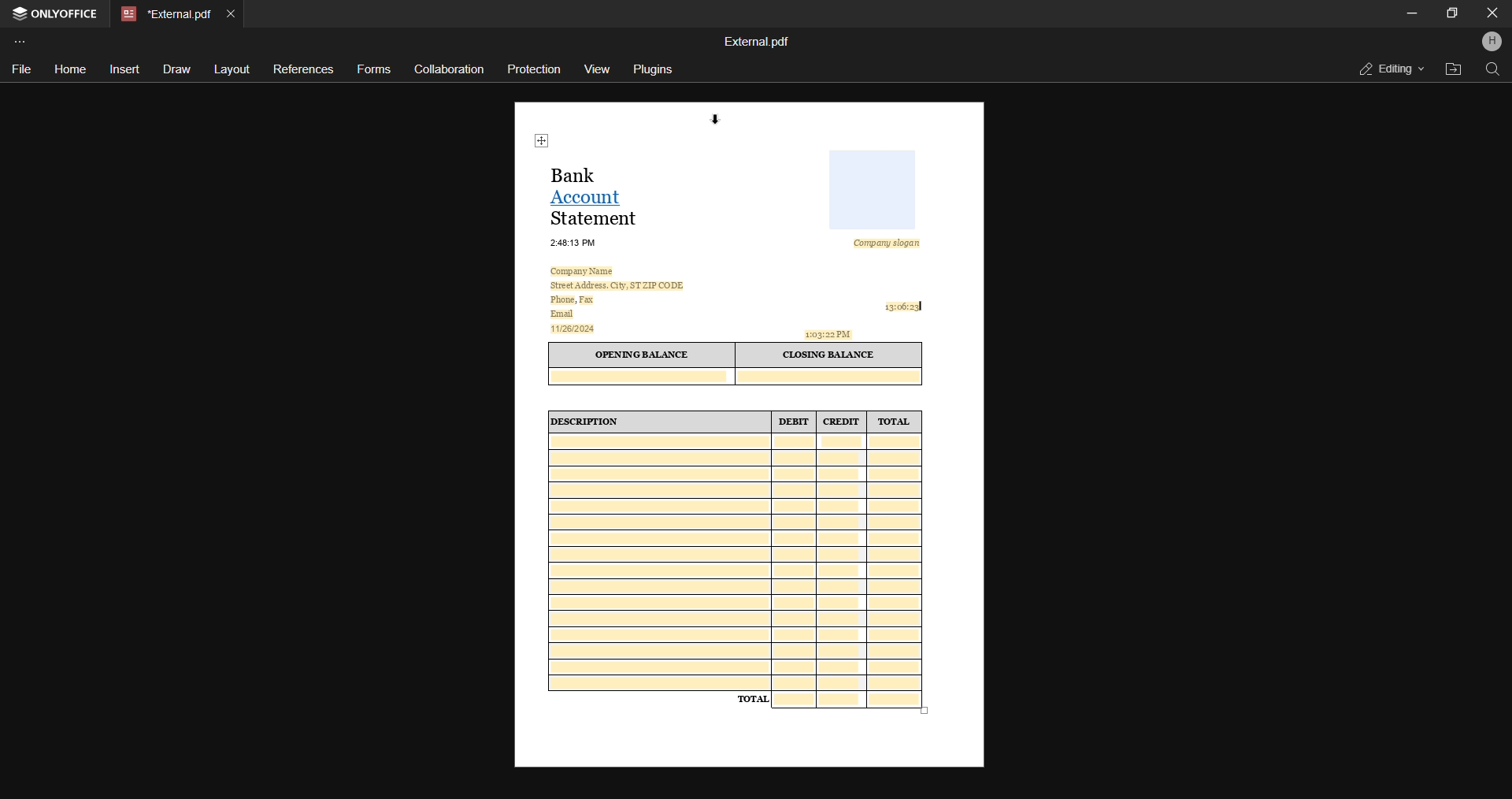 The height and width of the screenshot is (799, 1512). What do you see at coordinates (1492, 13) in the screenshot?
I see `close` at bounding box center [1492, 13].